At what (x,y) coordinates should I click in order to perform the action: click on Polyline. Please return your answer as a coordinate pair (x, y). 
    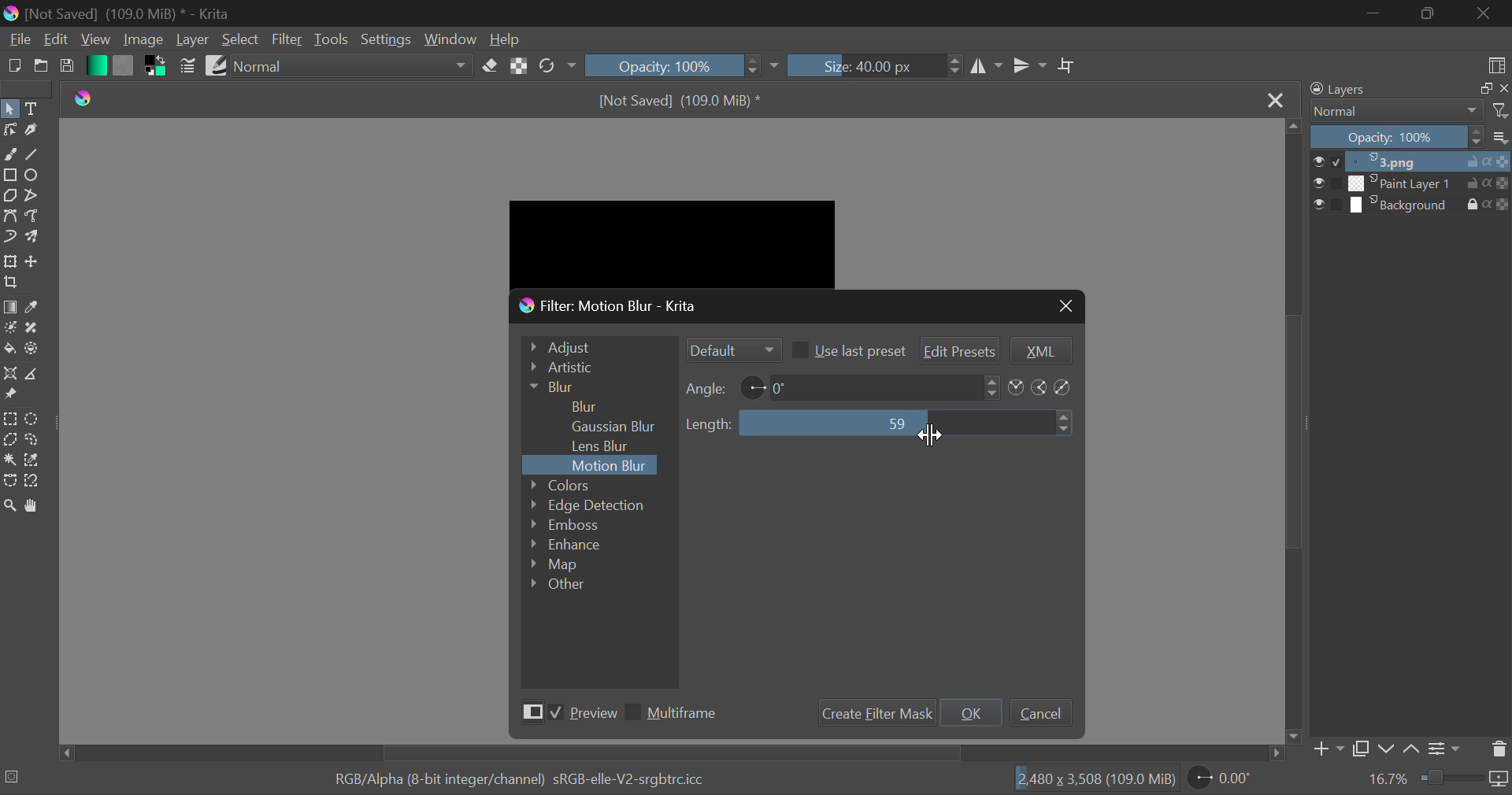
    Looking at the image, I should click on (33, 196).